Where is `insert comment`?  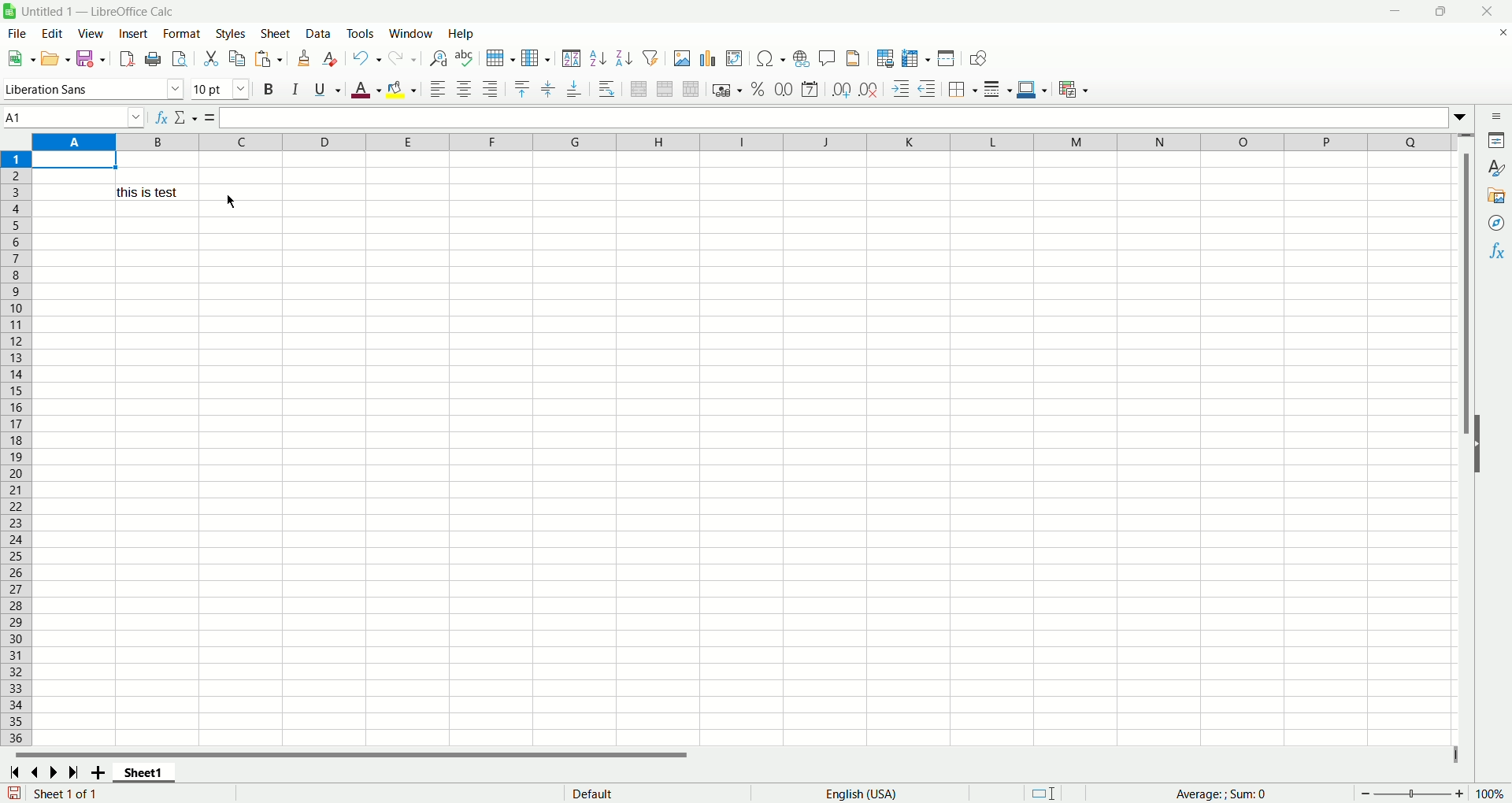 insert comment is located at coordinates (829, 57).